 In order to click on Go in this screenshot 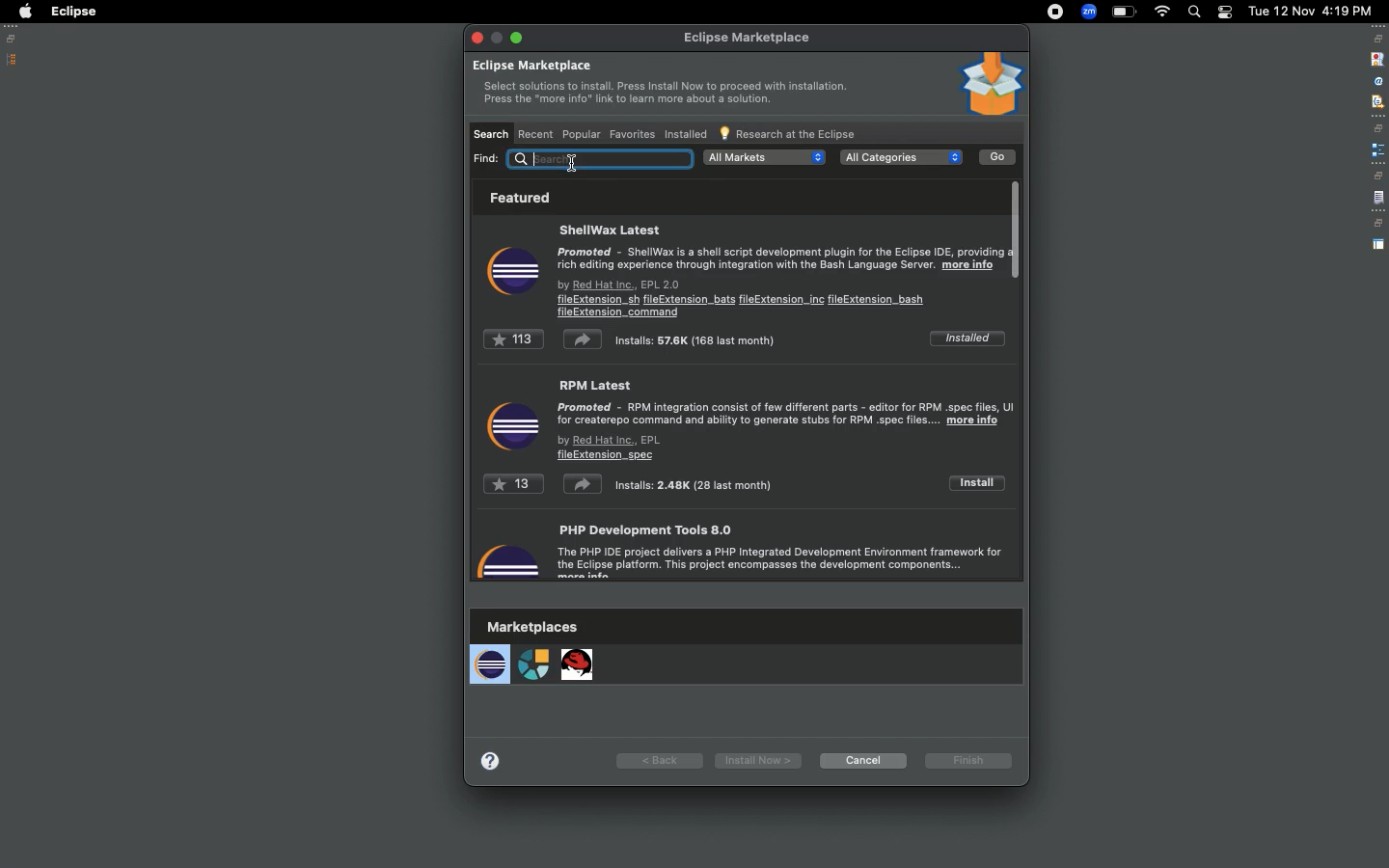, I will do `click(998, 157)`.